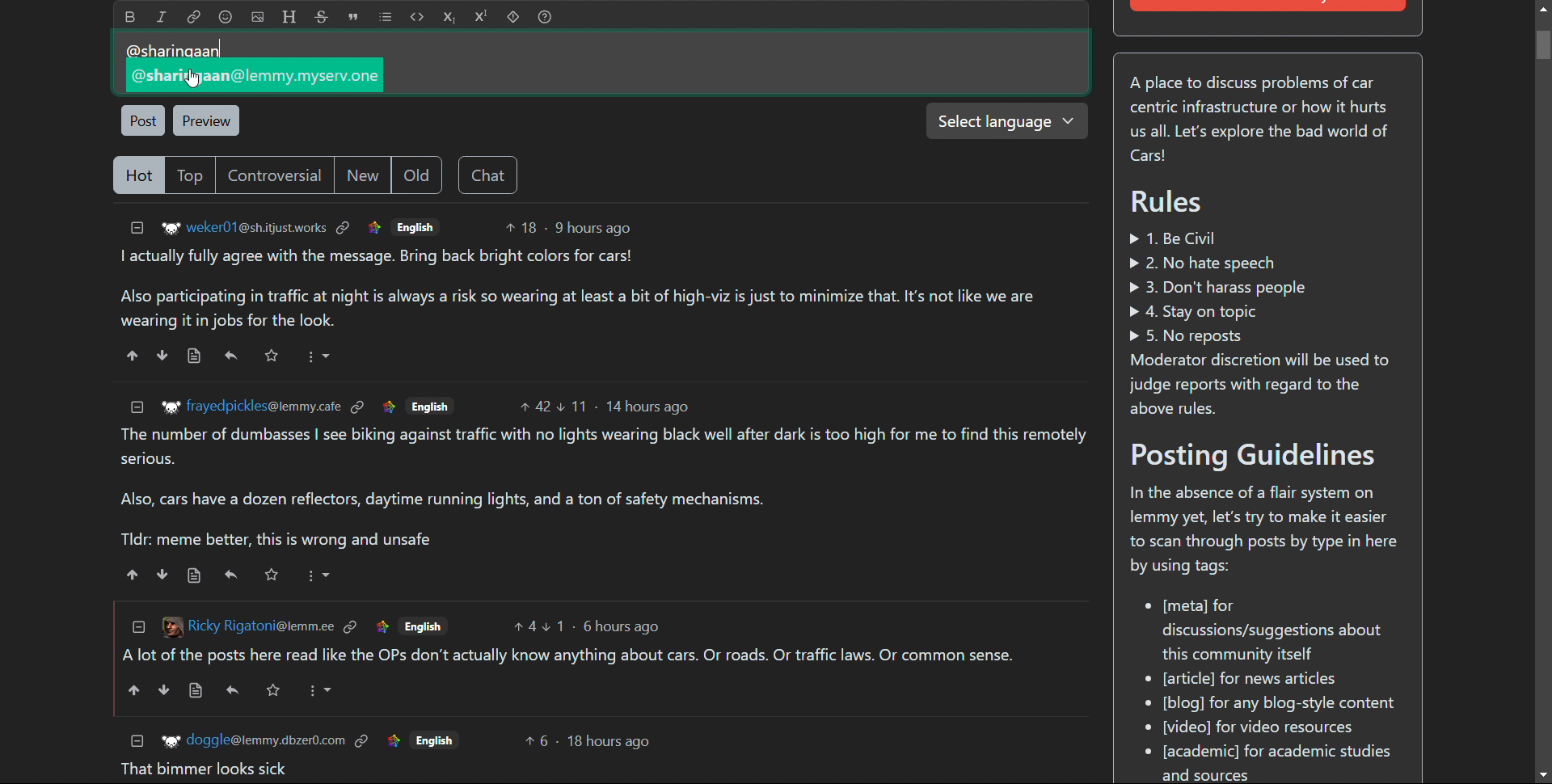  I want to click on quote, so click(354, 17).